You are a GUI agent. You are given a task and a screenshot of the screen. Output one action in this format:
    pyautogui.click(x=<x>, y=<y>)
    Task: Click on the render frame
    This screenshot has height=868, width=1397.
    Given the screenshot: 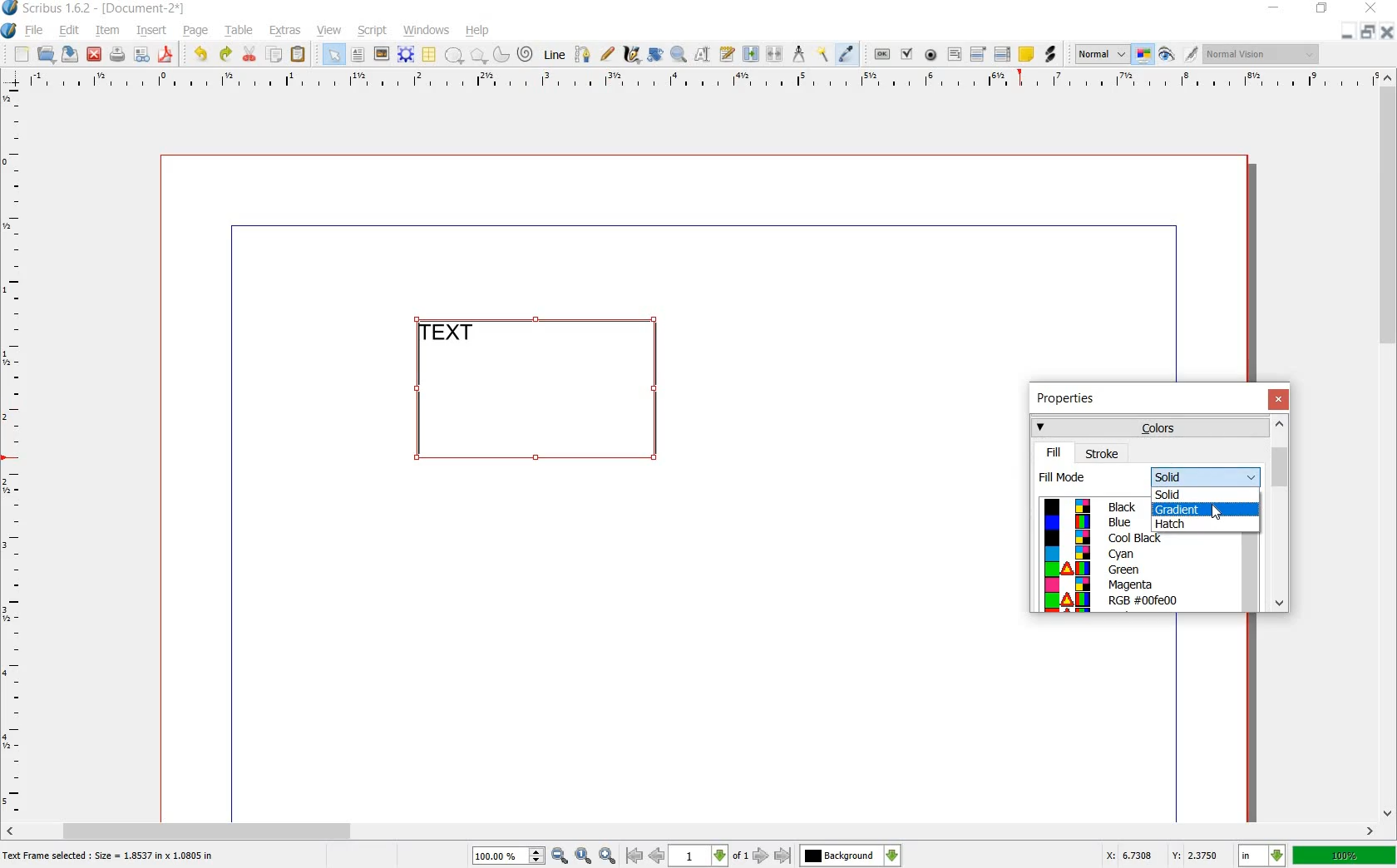 What is the action you would take?
    pyautogui.click(x=406, y=55)
    